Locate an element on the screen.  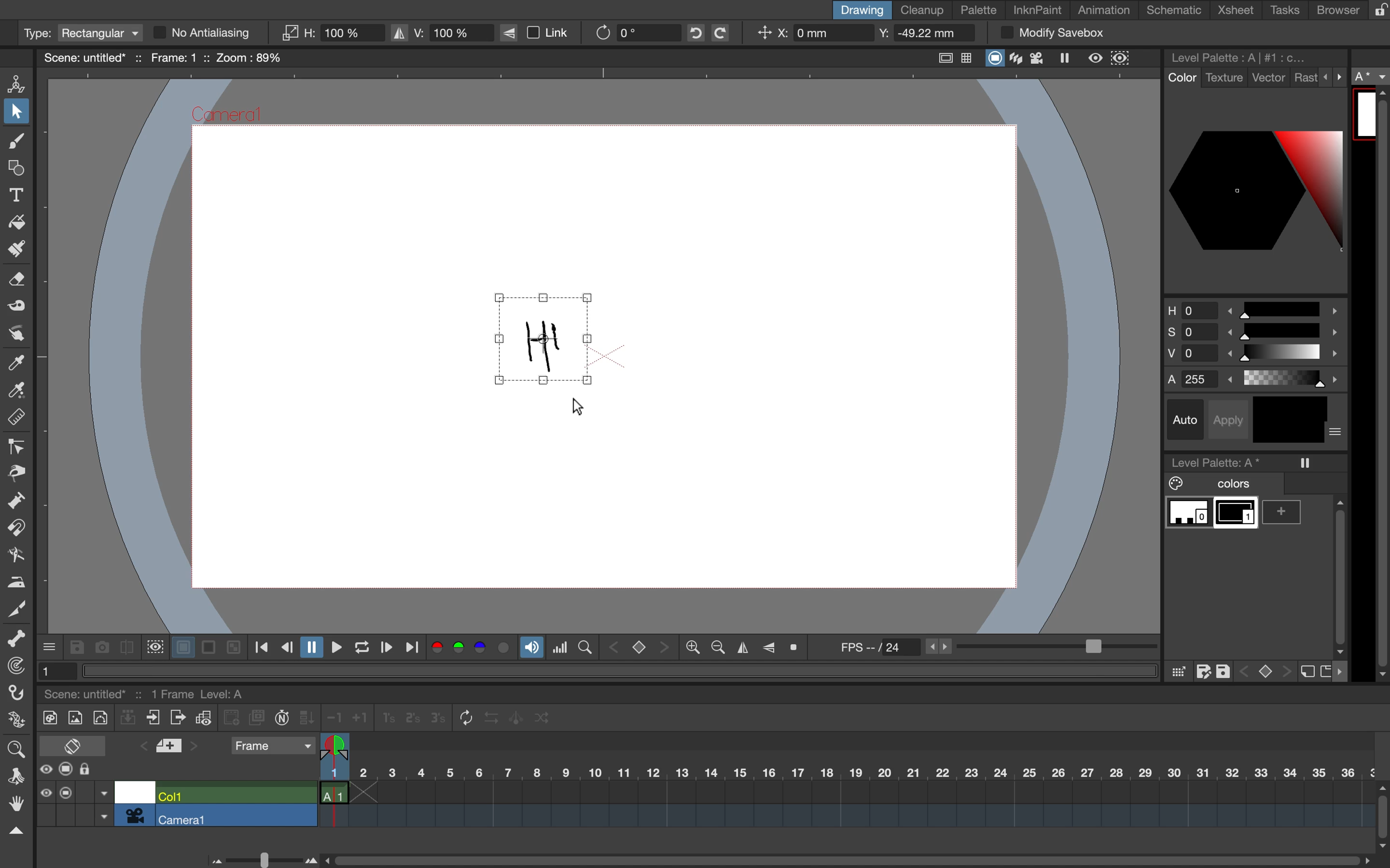
magnet tool is located at coordinates (15, 529).